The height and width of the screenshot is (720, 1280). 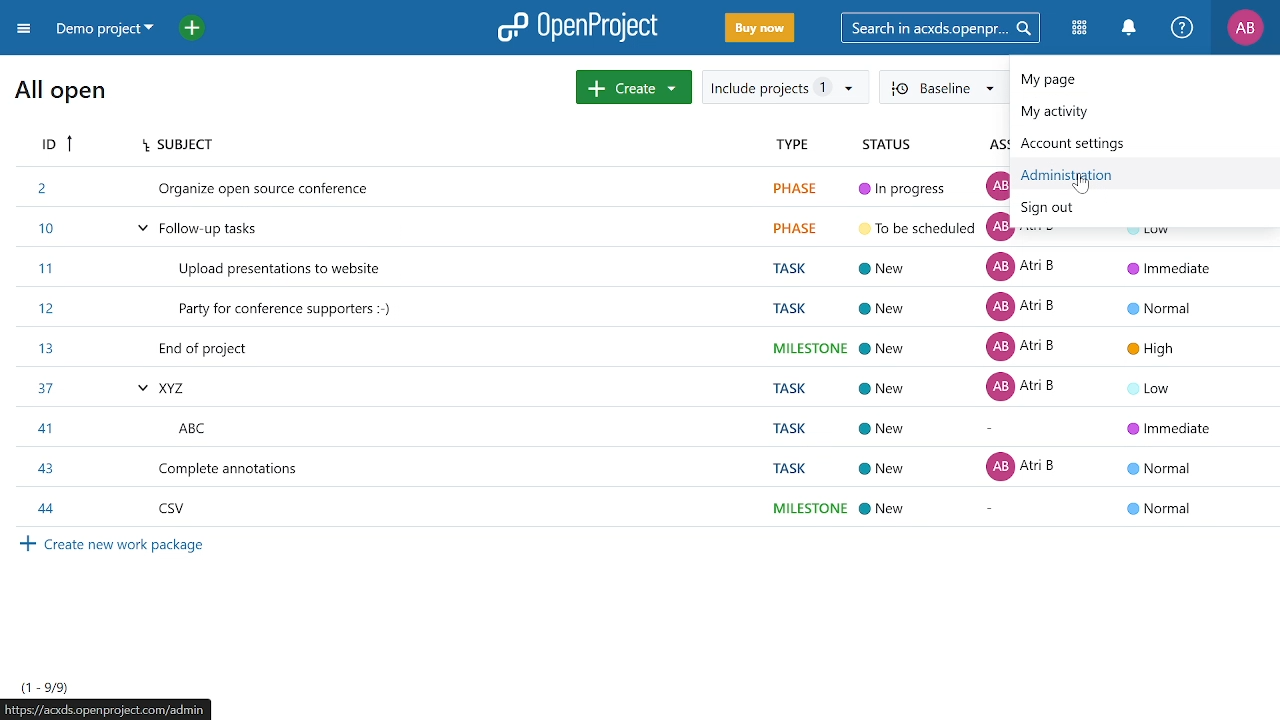 What do you see at coordinates (146, 554) in the screenshot?
I see `Create new work package` at bounding box center [146, 554].